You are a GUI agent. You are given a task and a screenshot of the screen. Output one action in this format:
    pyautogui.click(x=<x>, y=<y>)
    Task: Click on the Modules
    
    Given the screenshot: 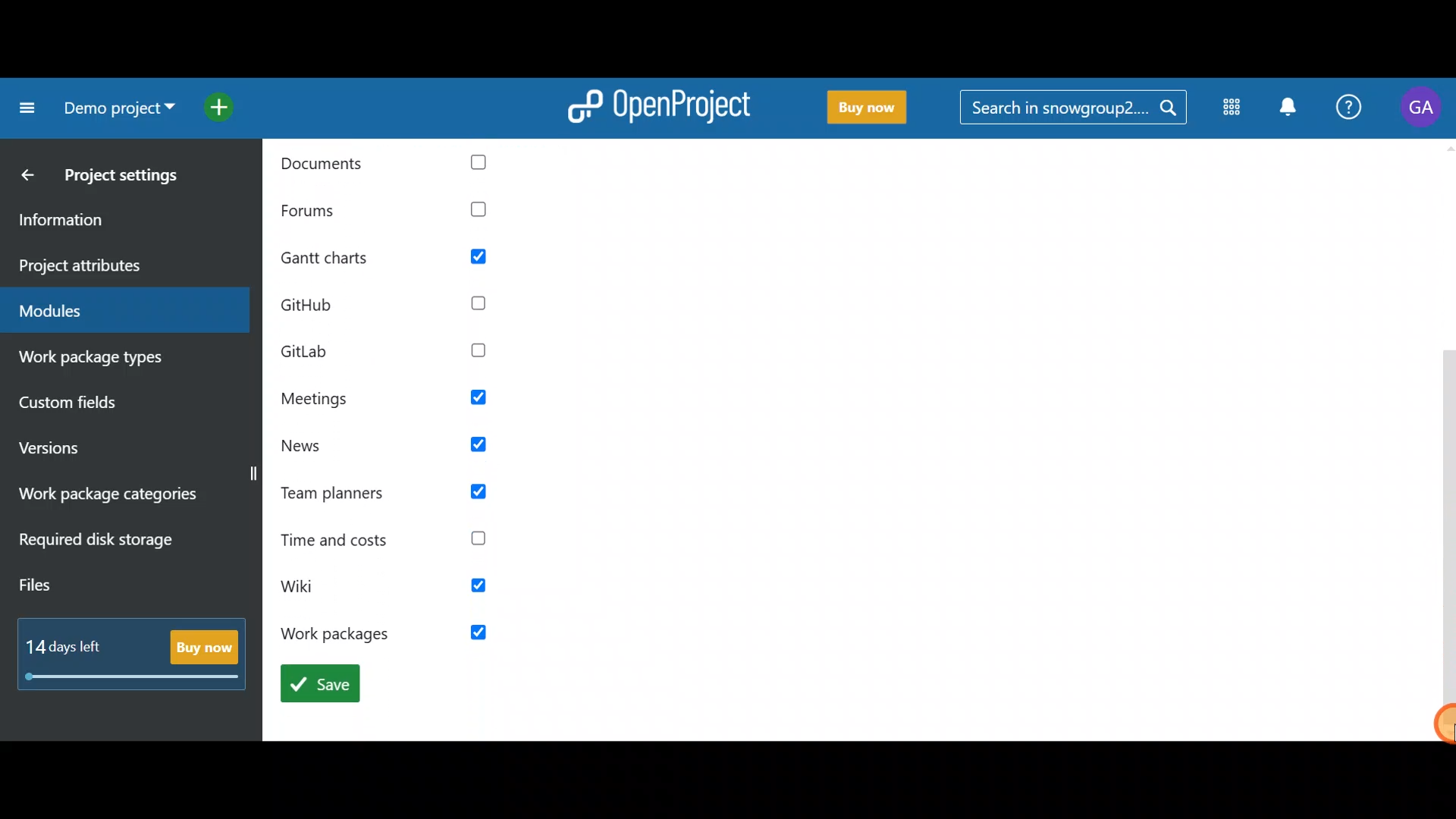 What is the action you would take?
    pyautogui.click(x=1234, y=108)
    